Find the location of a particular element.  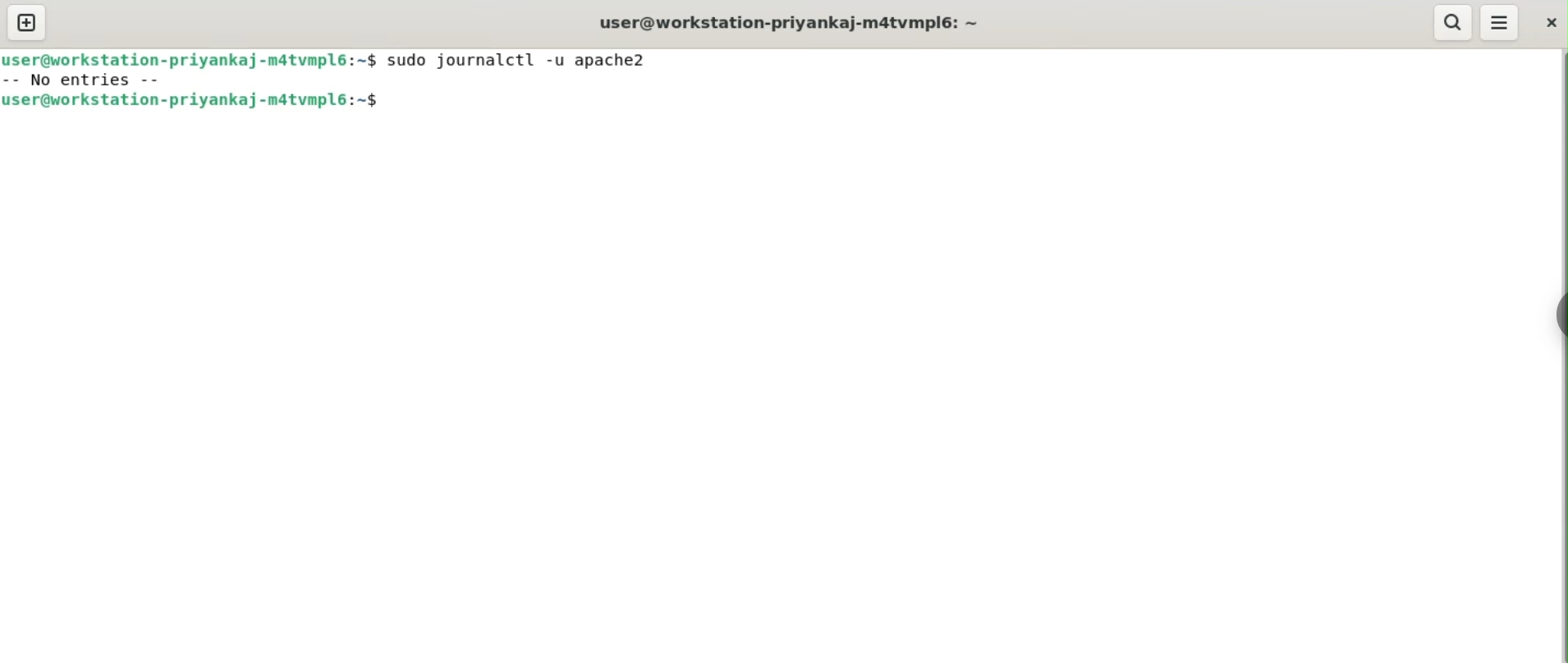

Toggle Button is located at coordinates (1558, 315).